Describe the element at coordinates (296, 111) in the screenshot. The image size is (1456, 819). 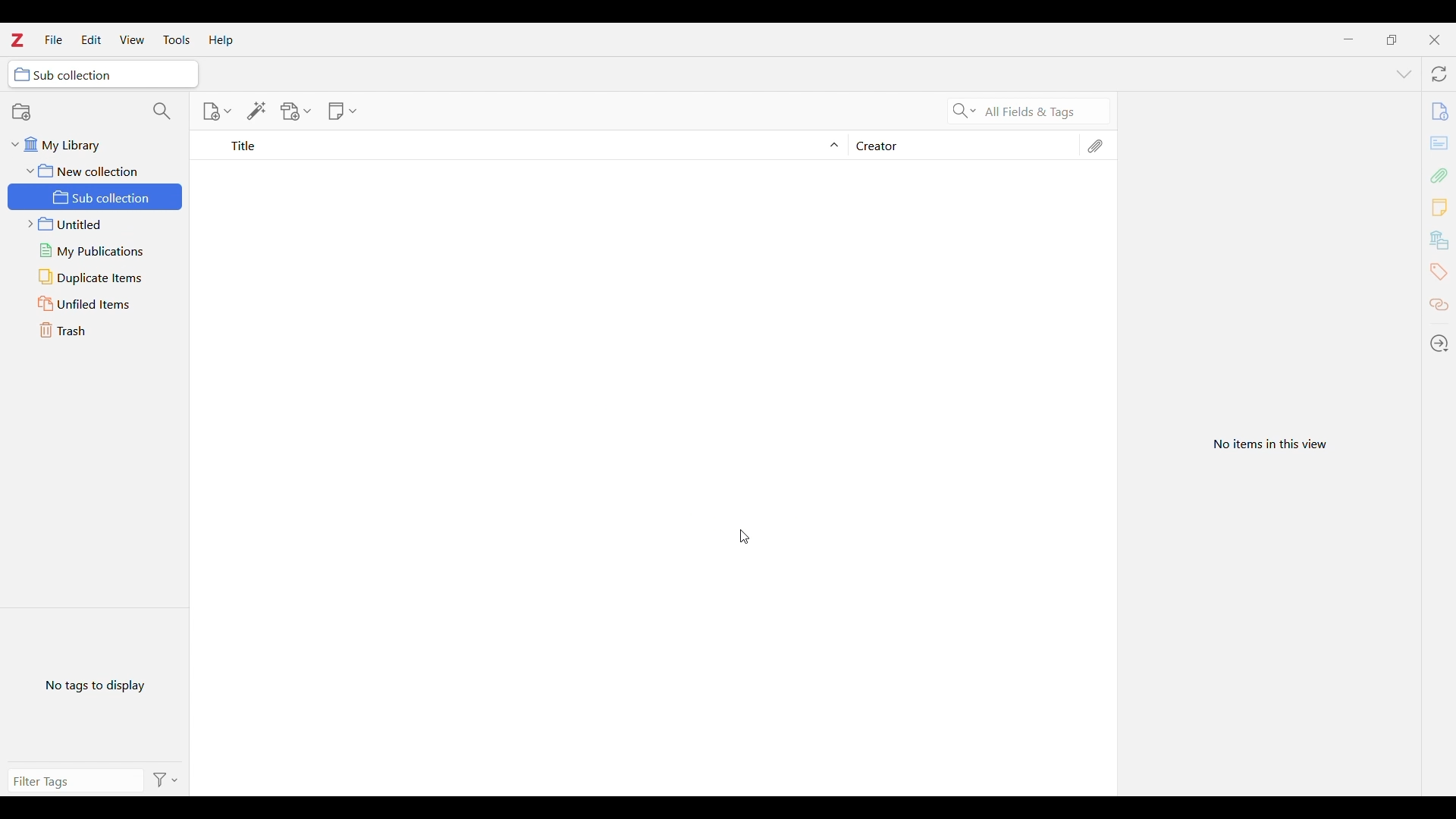
I see `Add file options` at that location.